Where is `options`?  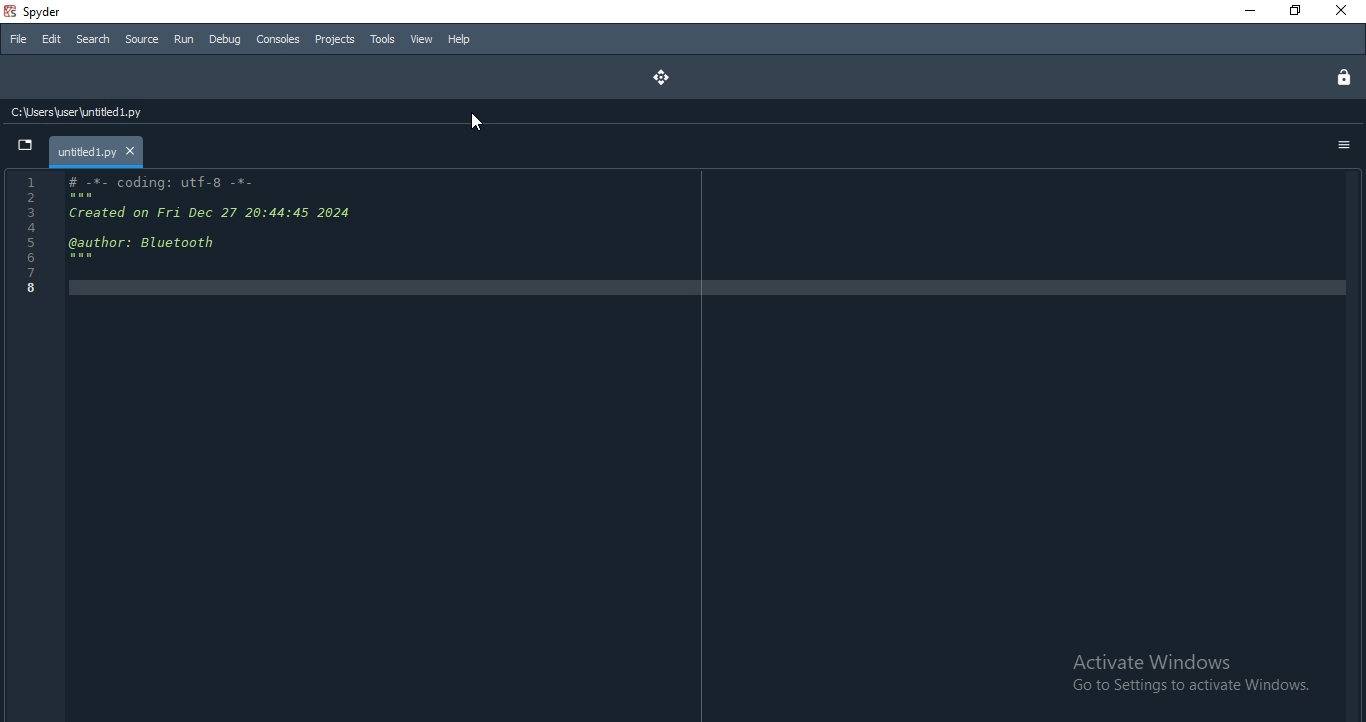 options is located at coordinates (1346, 146).